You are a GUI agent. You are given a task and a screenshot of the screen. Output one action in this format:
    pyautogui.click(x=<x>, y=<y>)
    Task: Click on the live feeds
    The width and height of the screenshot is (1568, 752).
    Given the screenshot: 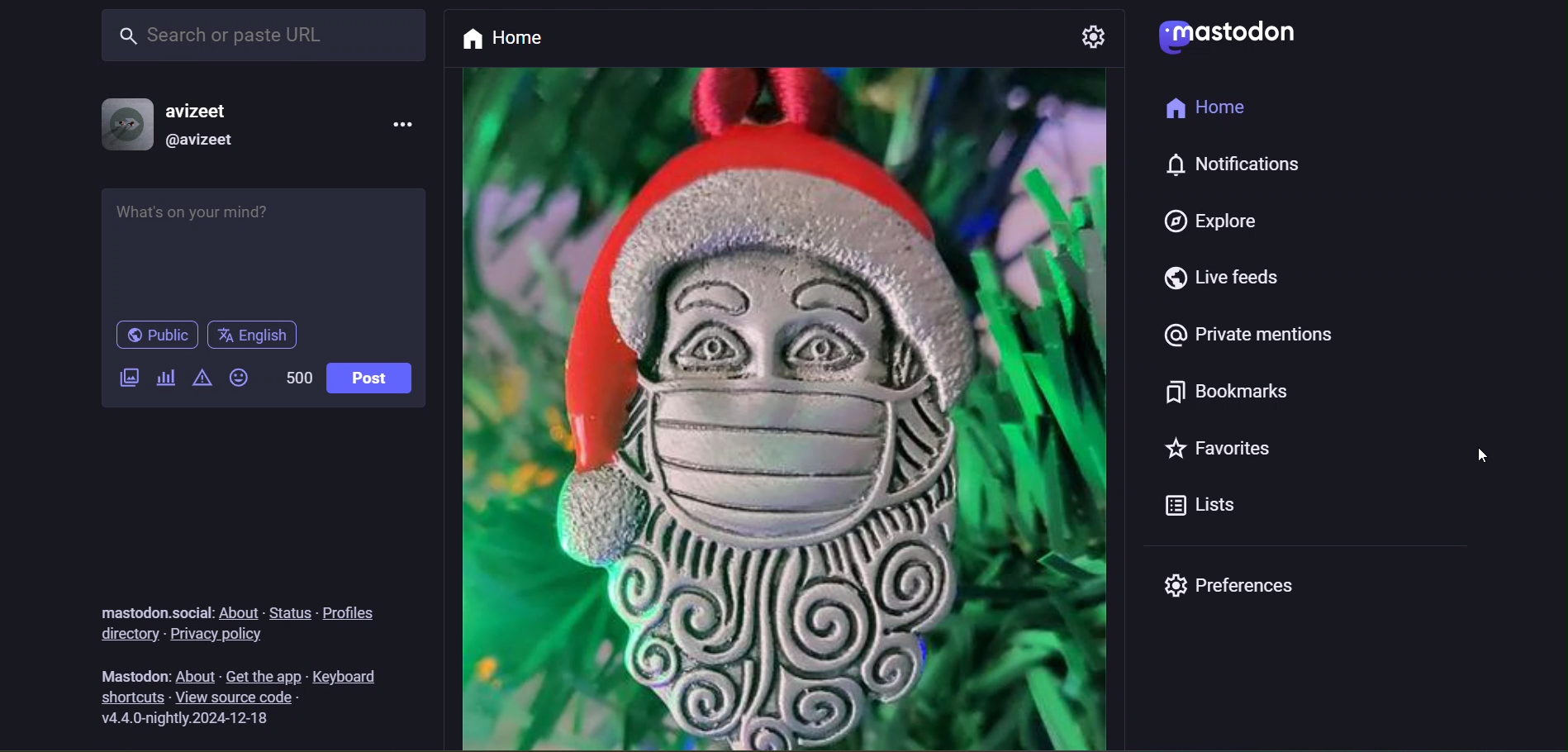 What is the action you would take?
    pyautogui.click(x=1223, y=279)
    